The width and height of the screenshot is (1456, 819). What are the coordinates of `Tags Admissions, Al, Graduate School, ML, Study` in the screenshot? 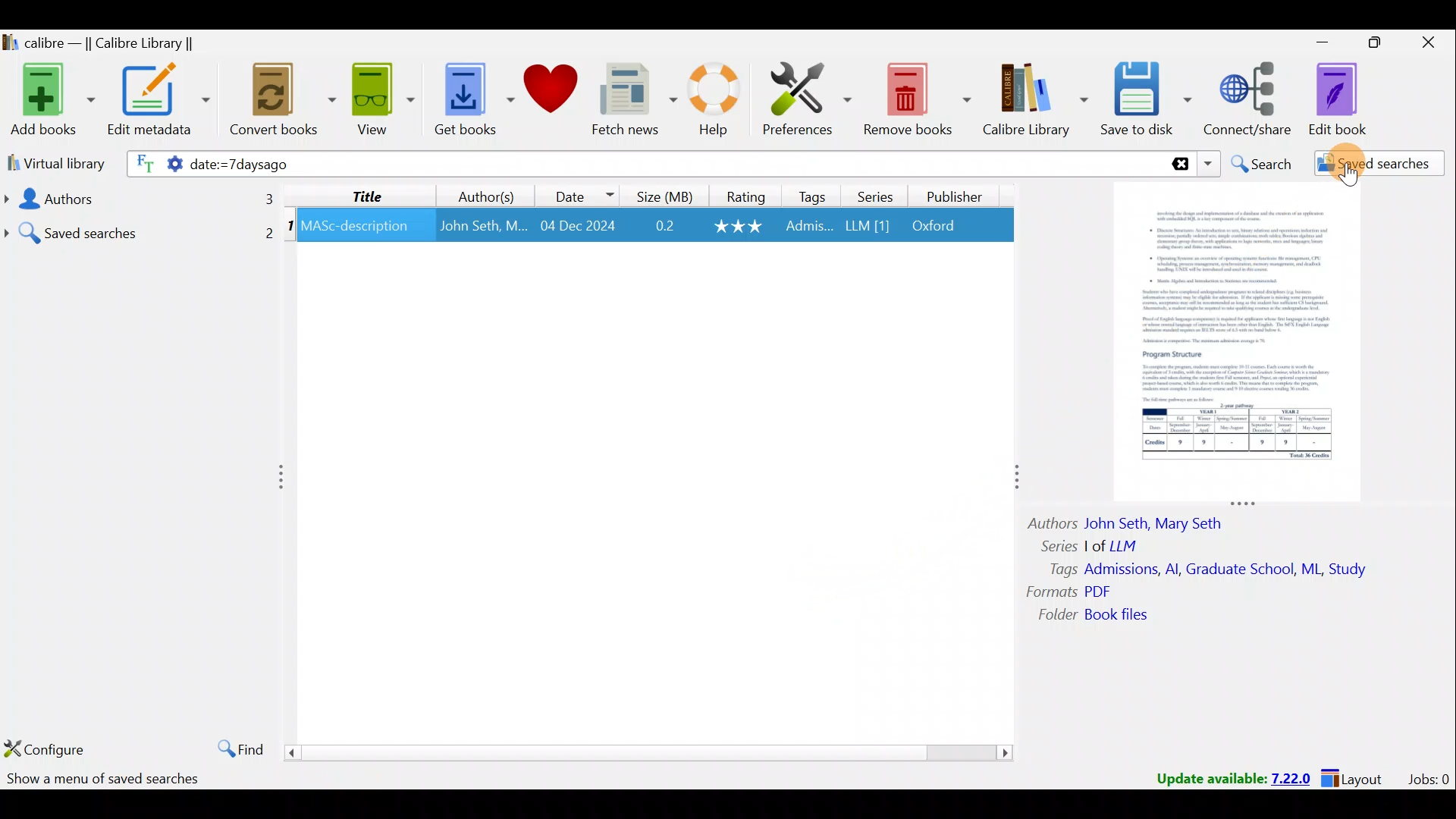 It's located at (1210, 570).